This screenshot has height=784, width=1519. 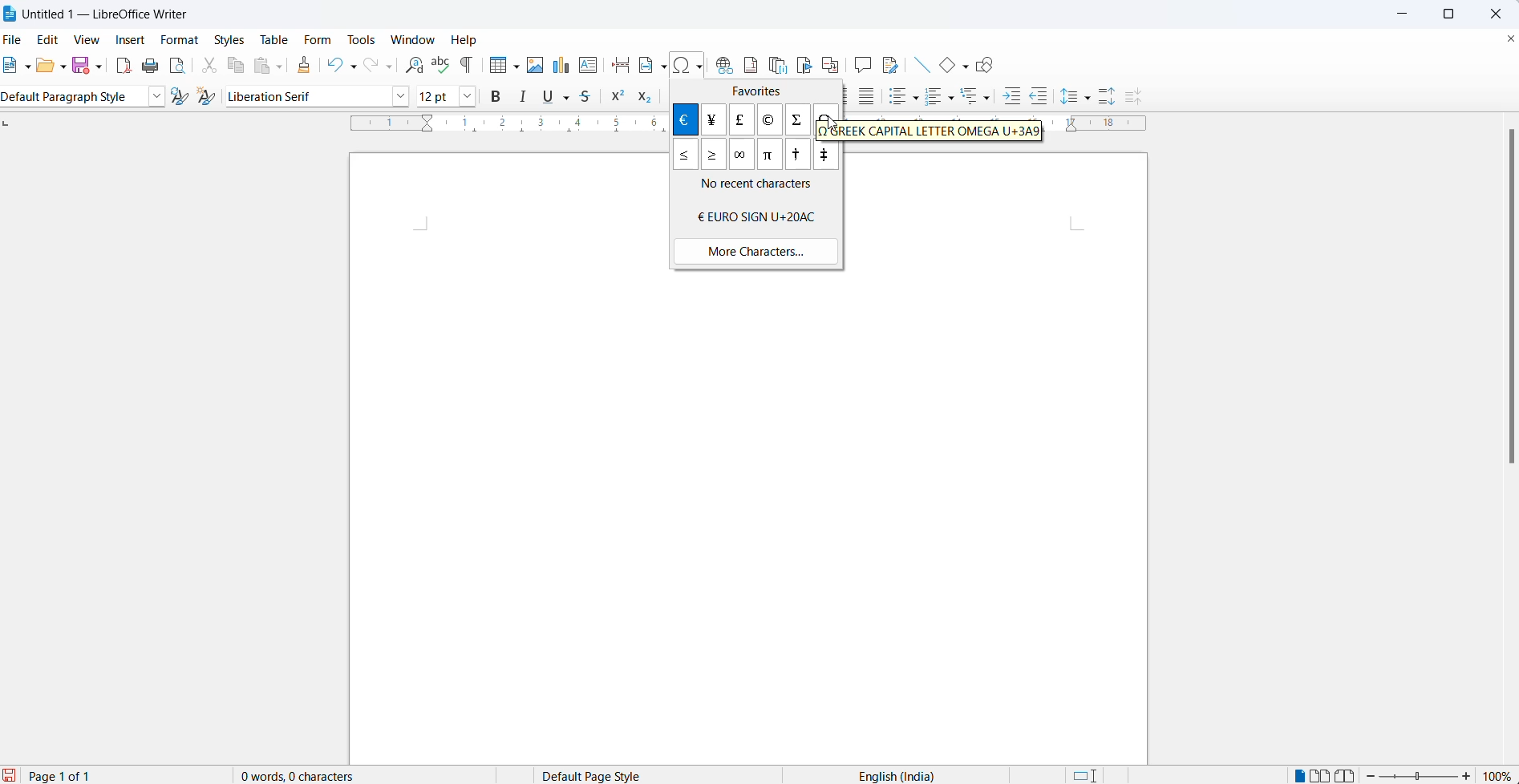 What do you see at coordinates (834, 64) in the screenshot?
I see `inert cross-reference`` at bounding box center [834, 64].